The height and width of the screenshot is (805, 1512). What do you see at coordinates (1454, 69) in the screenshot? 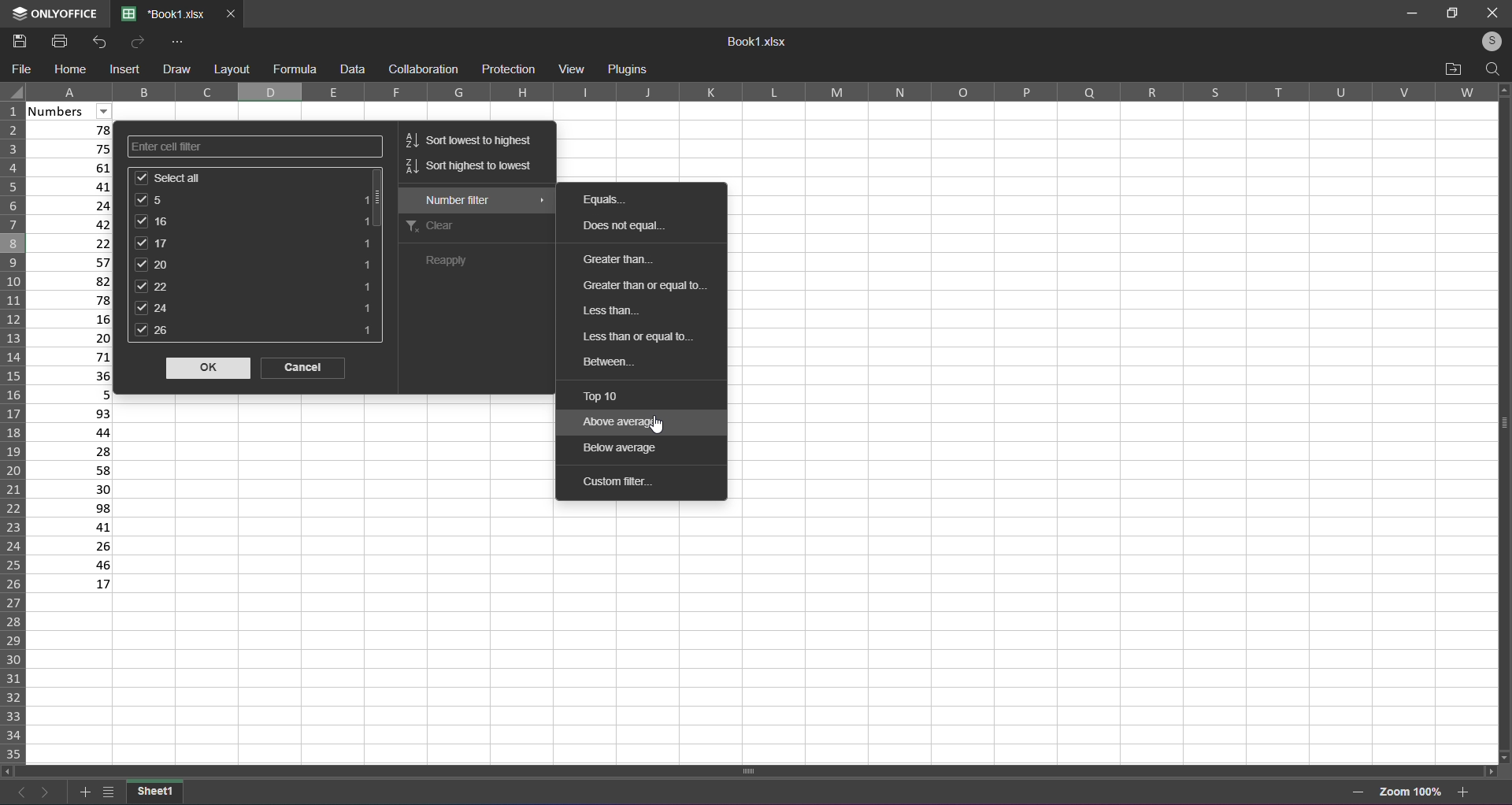
I see `open` at bounding box center [1454, 69].